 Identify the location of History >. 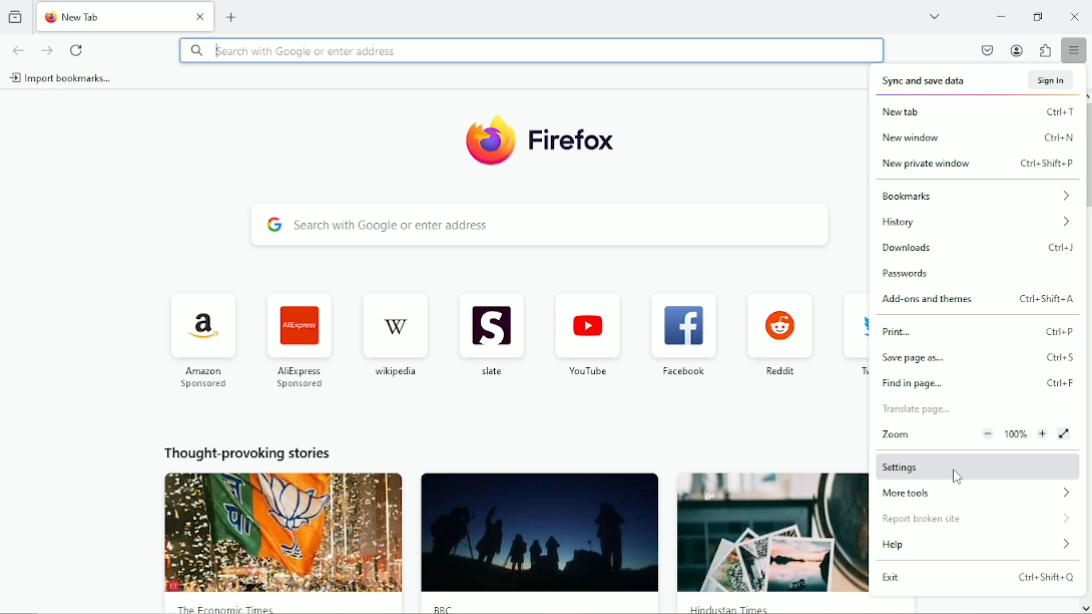
(977, 221).